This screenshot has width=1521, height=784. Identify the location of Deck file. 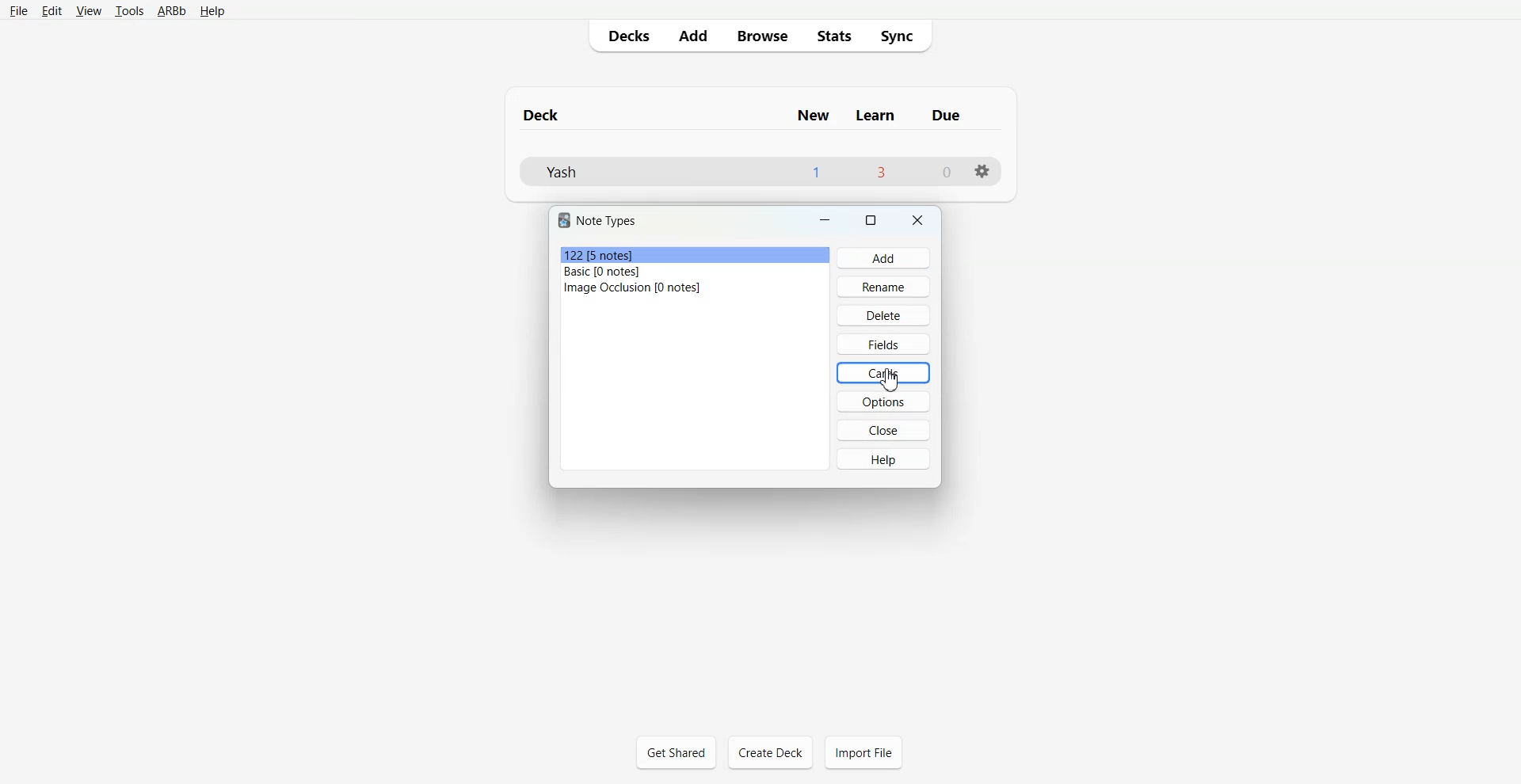
(759, 171).